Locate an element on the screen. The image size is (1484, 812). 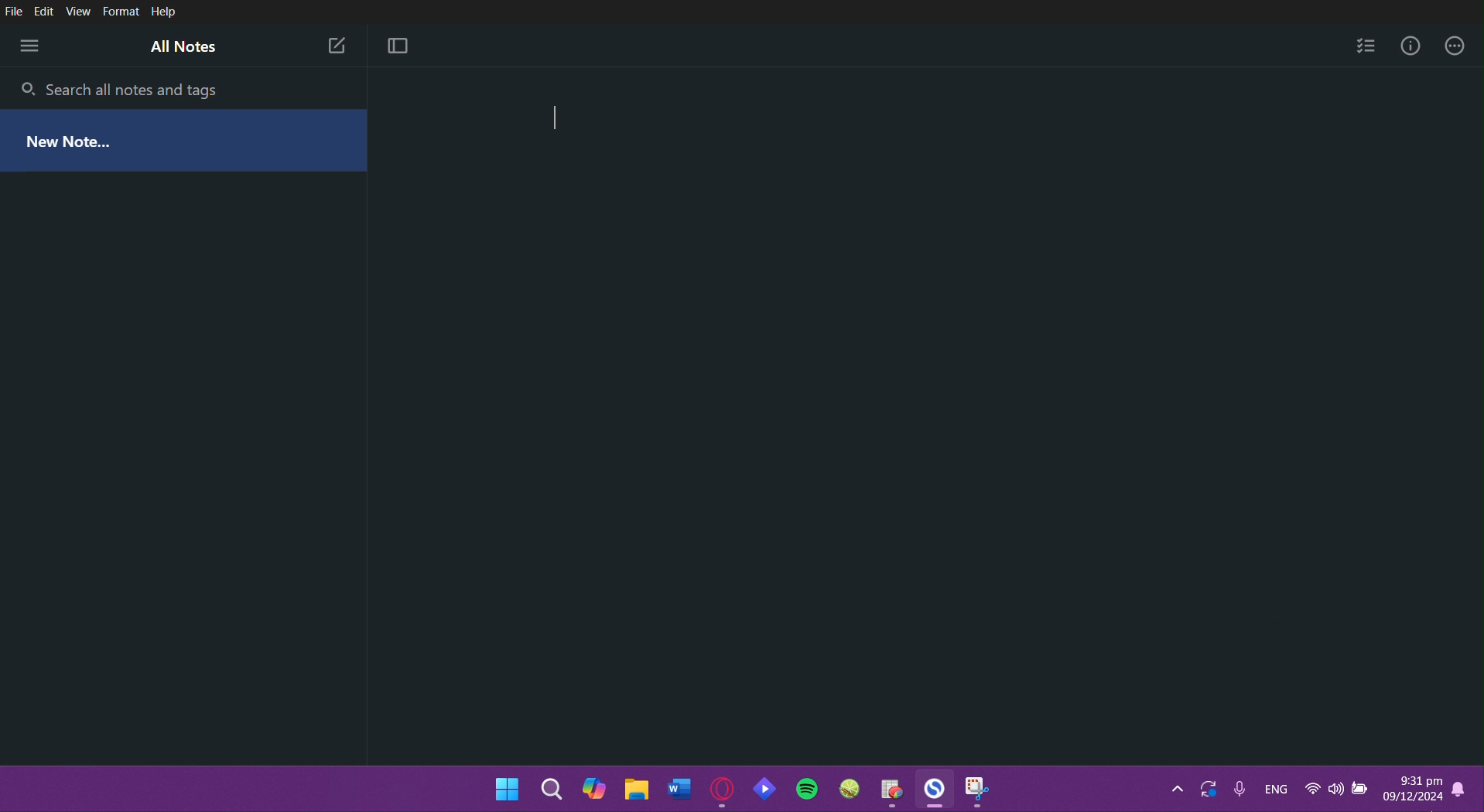
opera is located at coordinates (720, 789).